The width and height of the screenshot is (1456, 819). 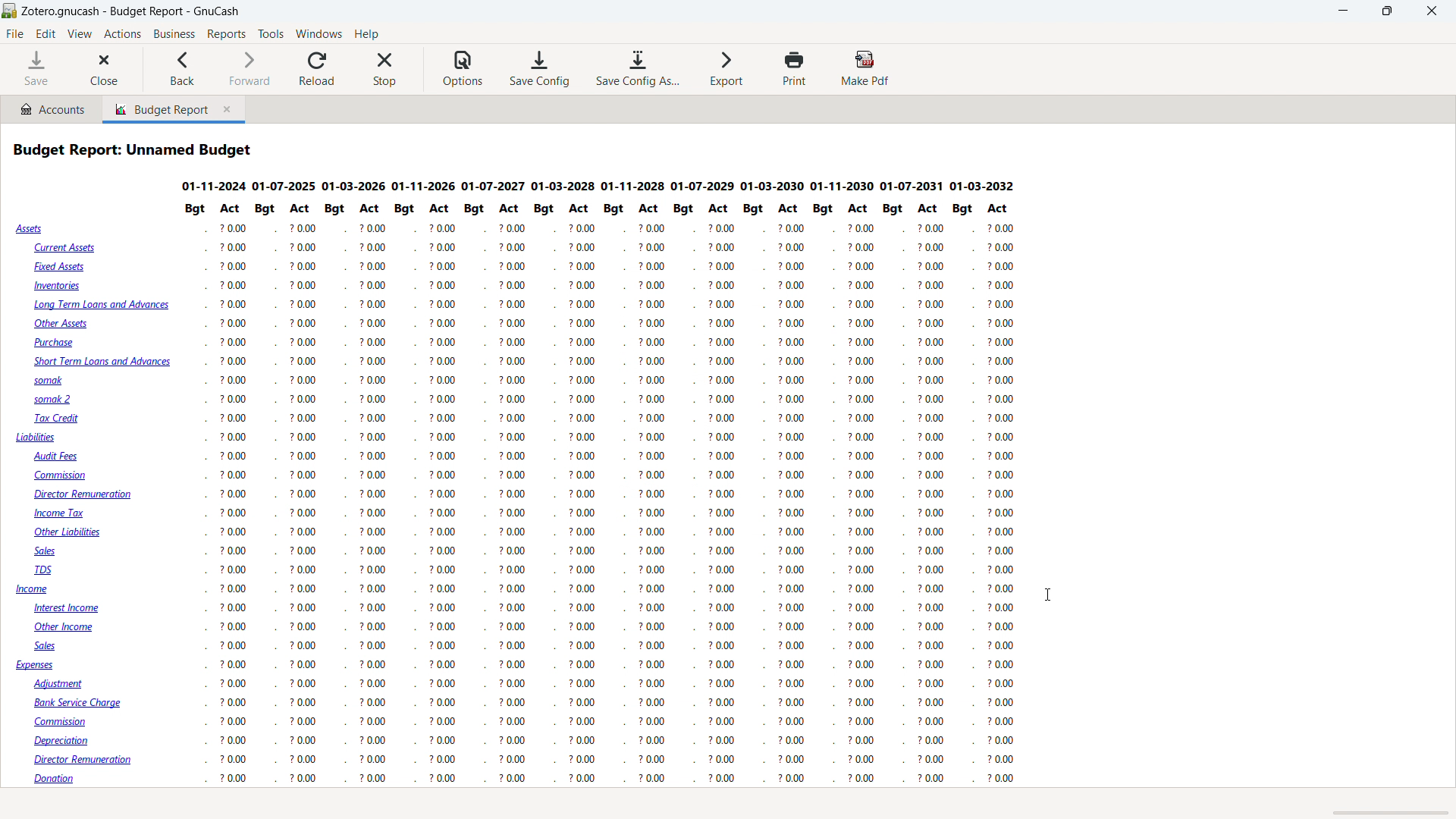 I want to click on close, so click(x=105, y=70).